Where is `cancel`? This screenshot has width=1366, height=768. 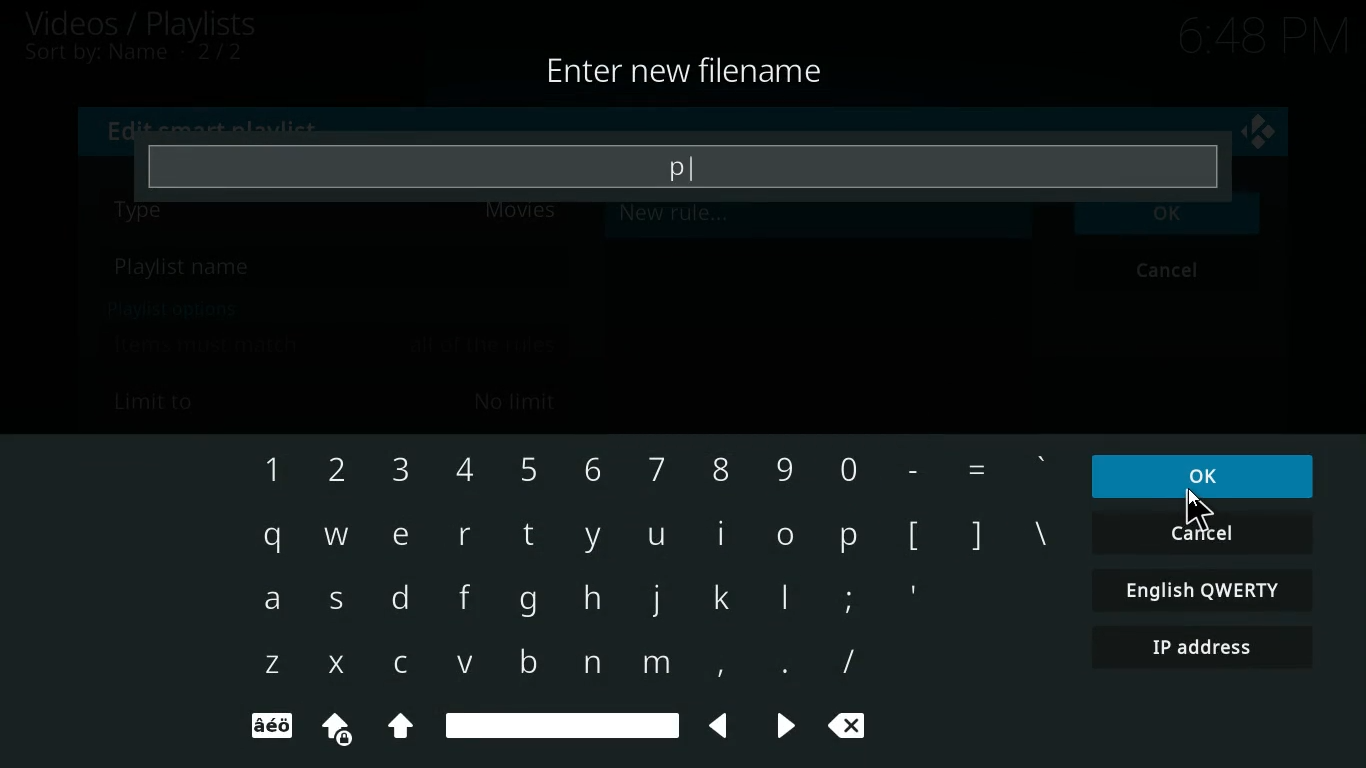
cancel is located at coordinates (1202, 535).